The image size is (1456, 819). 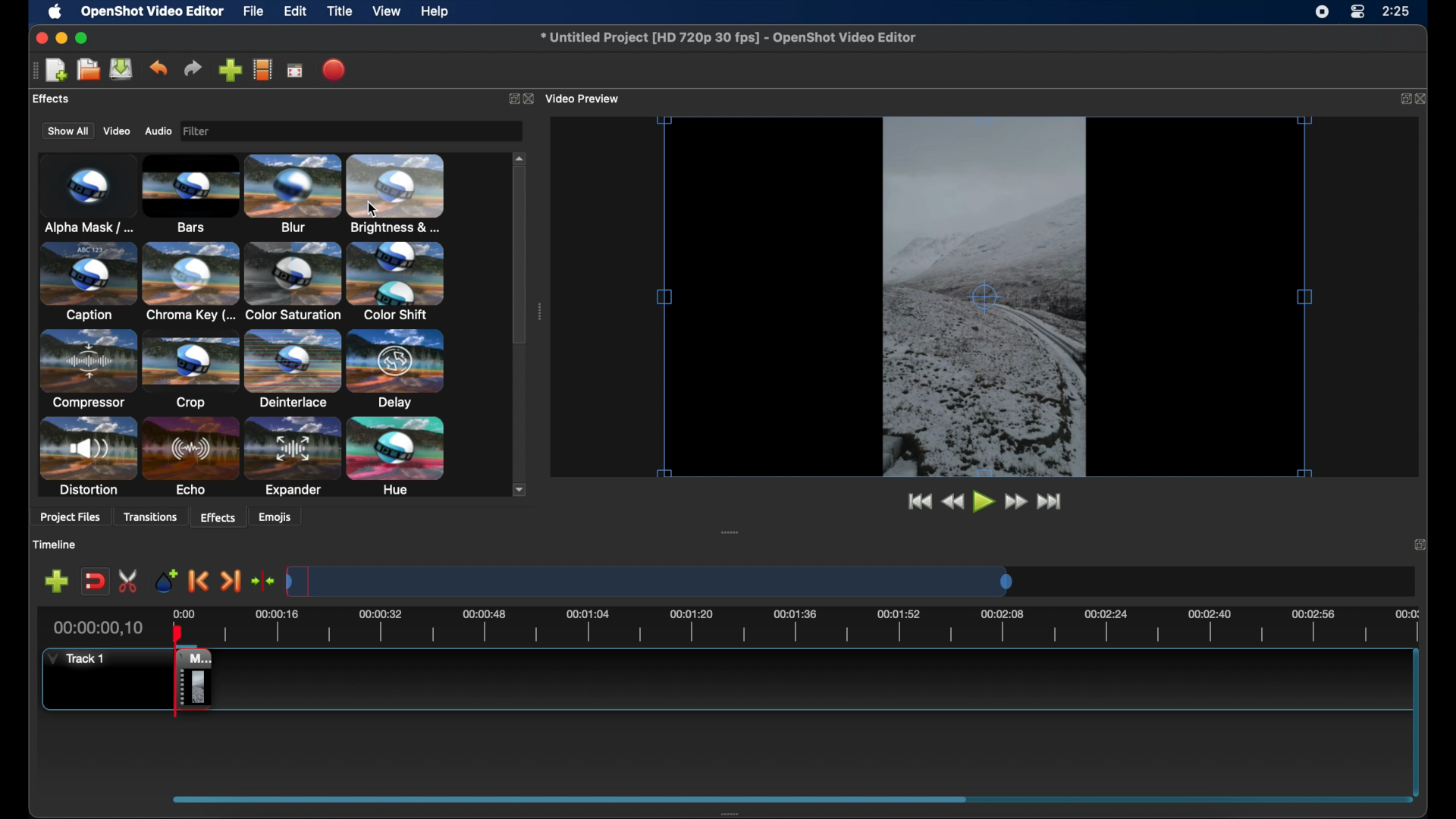 What do you see at coordinates (196, 580) in the screenshot?
I see `previous marker` at bounding box center [196, 580].